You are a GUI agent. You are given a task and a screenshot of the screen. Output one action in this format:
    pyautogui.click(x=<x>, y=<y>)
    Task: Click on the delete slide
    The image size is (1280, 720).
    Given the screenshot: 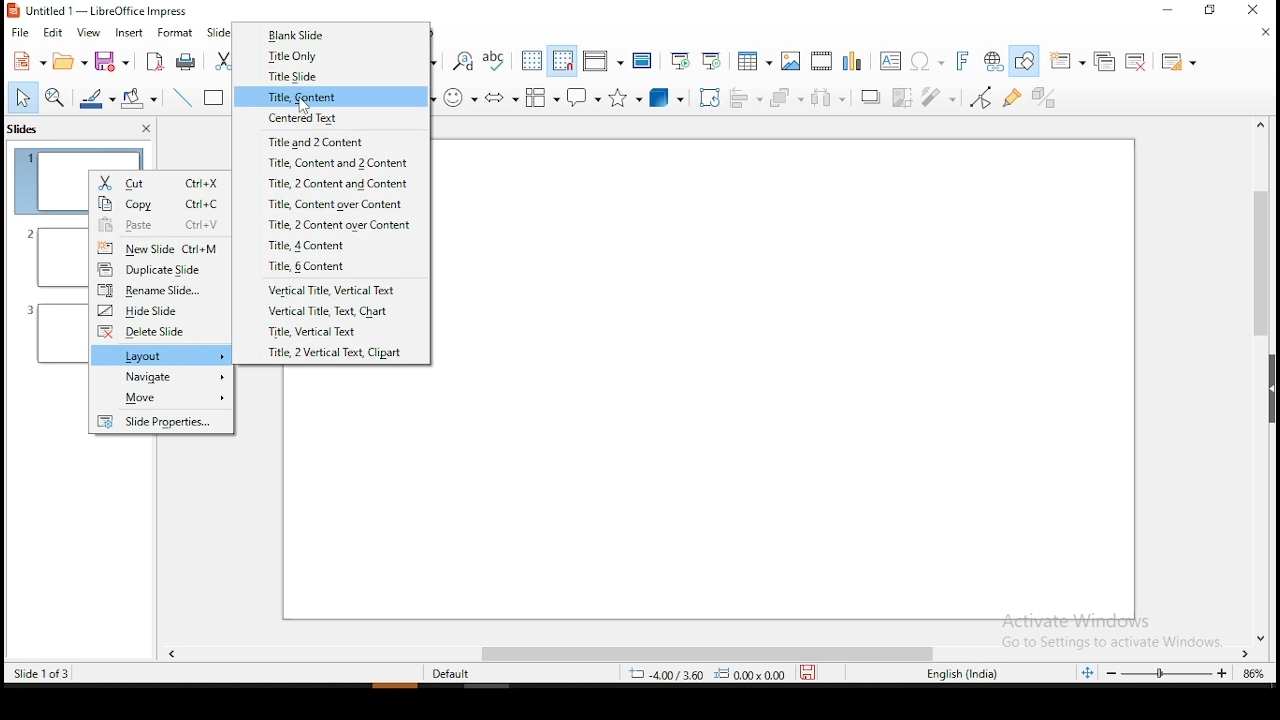 What is the action you would take?
    pyautogui.click(x=160, y=332)
    